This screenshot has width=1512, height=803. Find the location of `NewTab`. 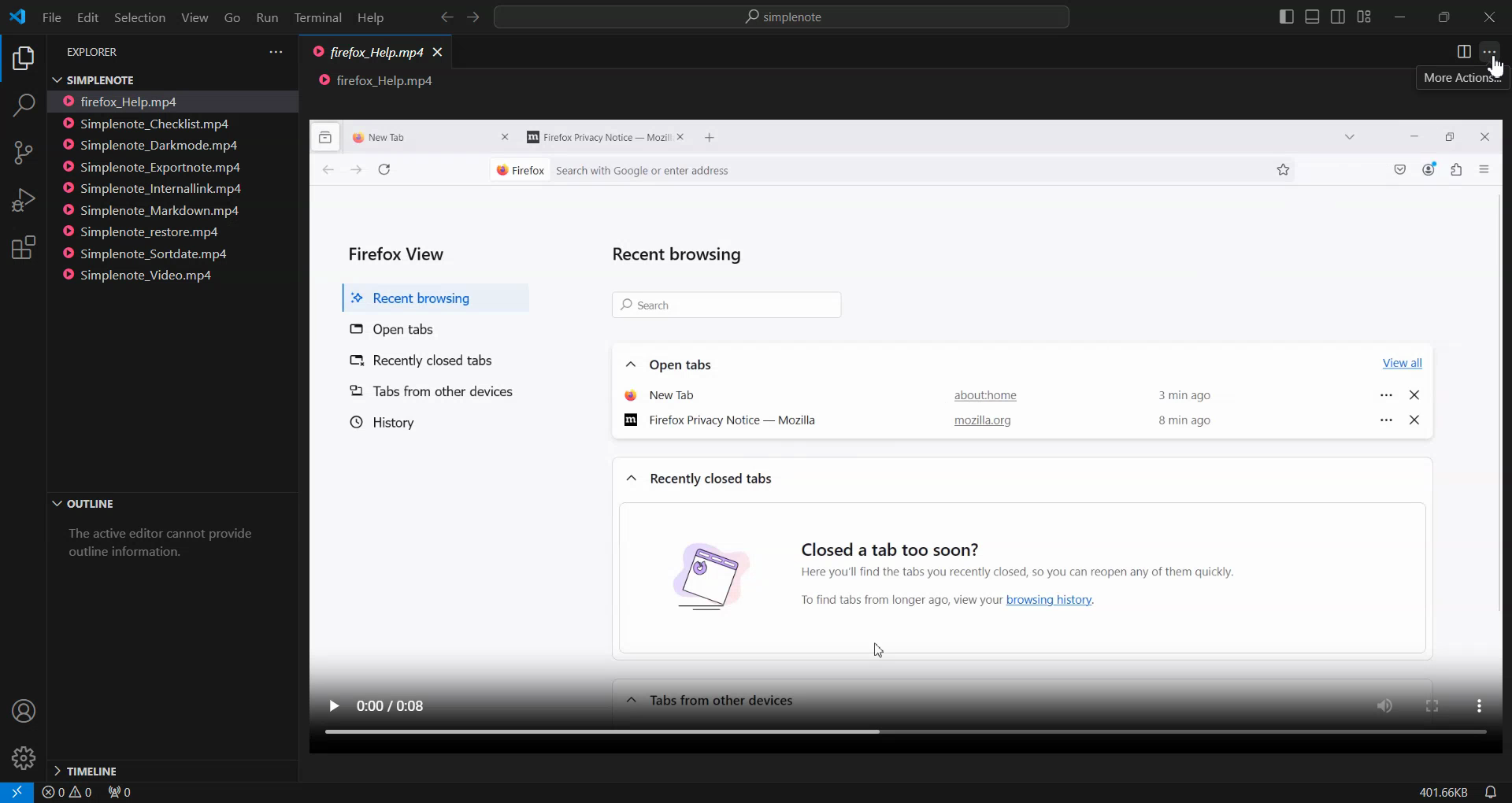

NewTab is located at coordinates (395, 136).